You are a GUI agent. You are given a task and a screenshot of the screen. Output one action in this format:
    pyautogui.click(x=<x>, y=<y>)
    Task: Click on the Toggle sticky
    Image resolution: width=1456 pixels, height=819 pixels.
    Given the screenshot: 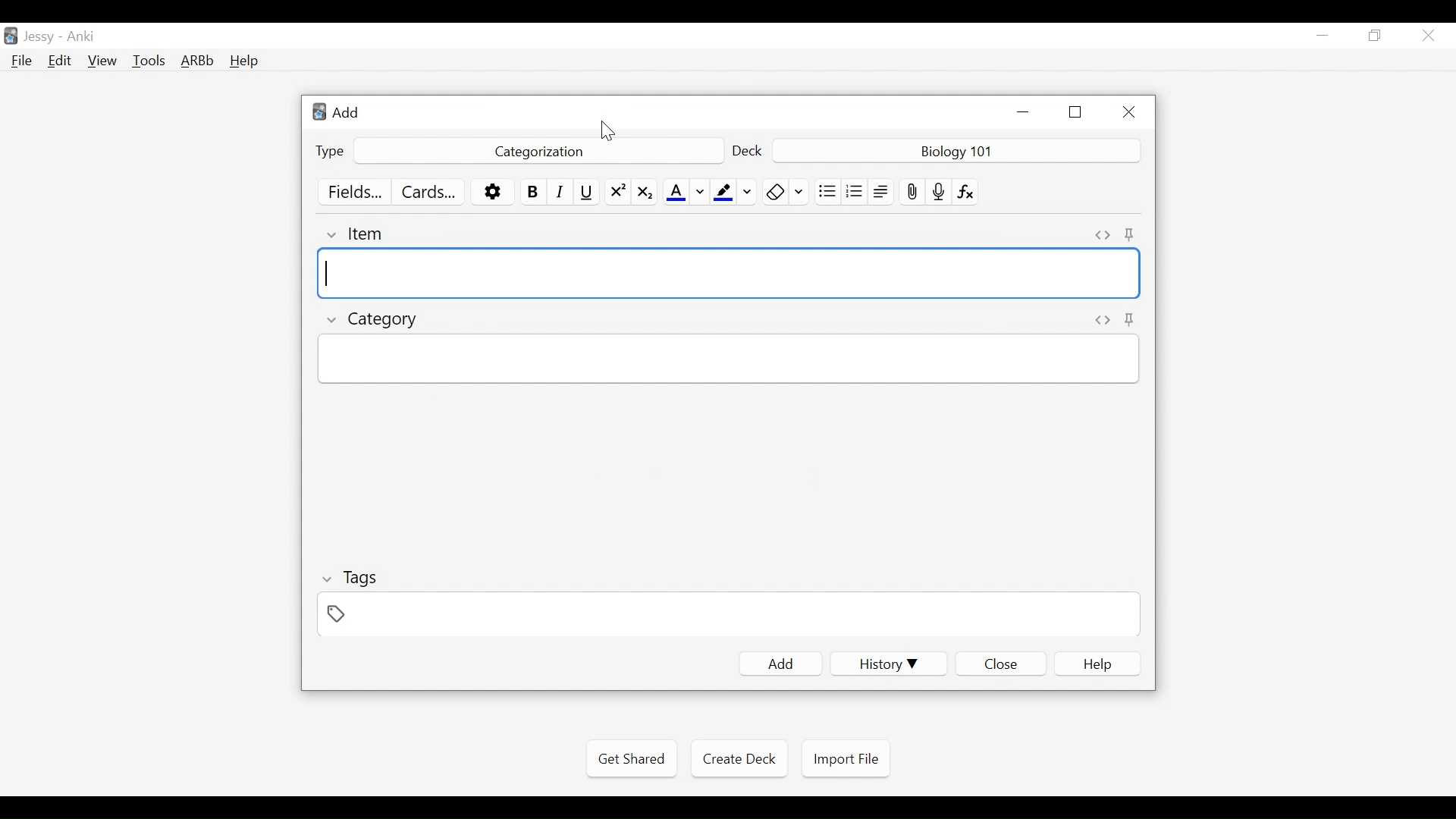 What is the action you would take?
    pyautogui.click(x=1131, y=318)
    